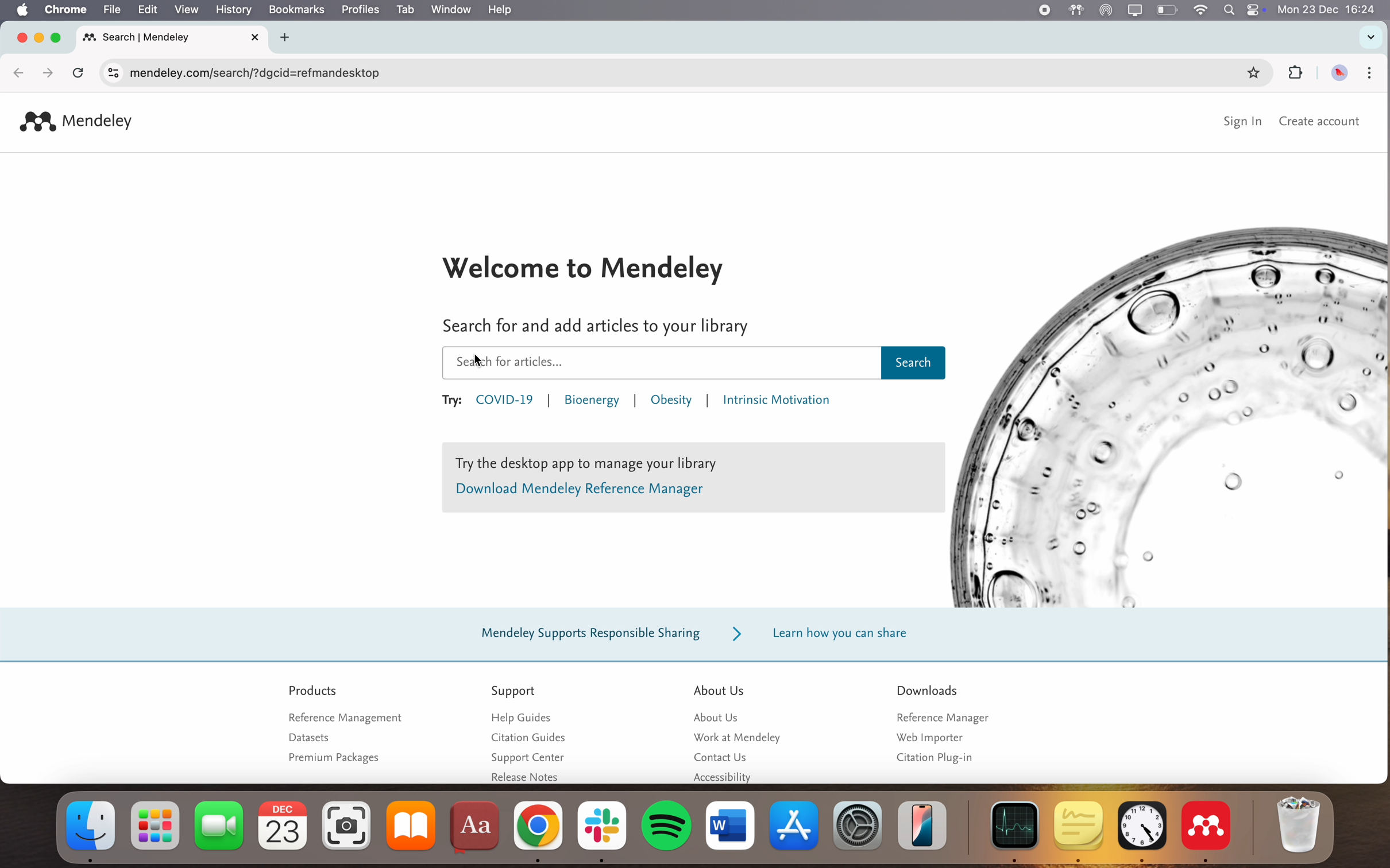  I want to click on premium packages, so click(334, 758).